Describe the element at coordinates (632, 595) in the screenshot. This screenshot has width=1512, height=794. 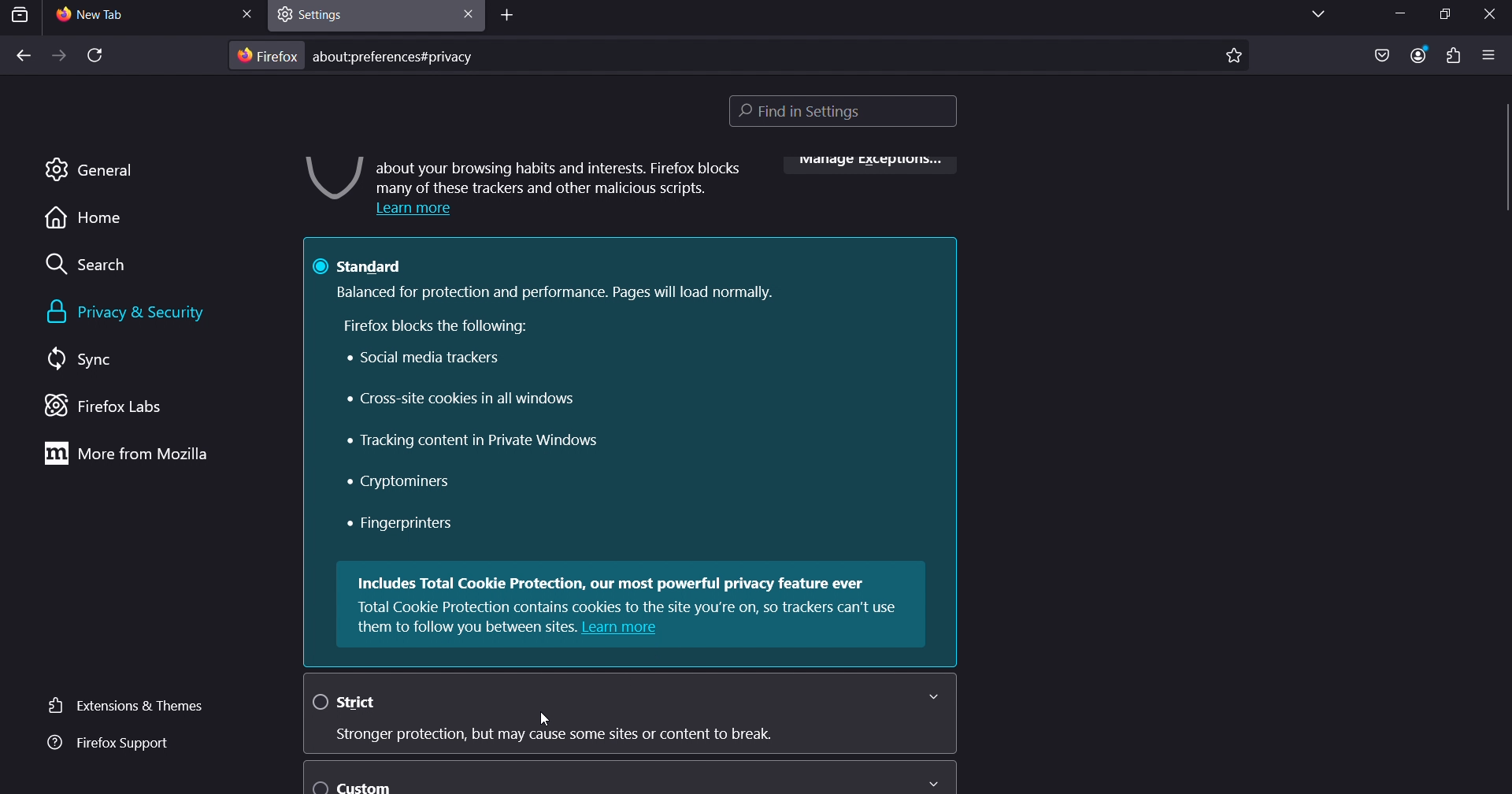
I see `Includes Total Cookie Protection, our most powerful privacy feature ever
Total Cookie Protection contains cookies to the site you're on, so trackers can't use` at that location.